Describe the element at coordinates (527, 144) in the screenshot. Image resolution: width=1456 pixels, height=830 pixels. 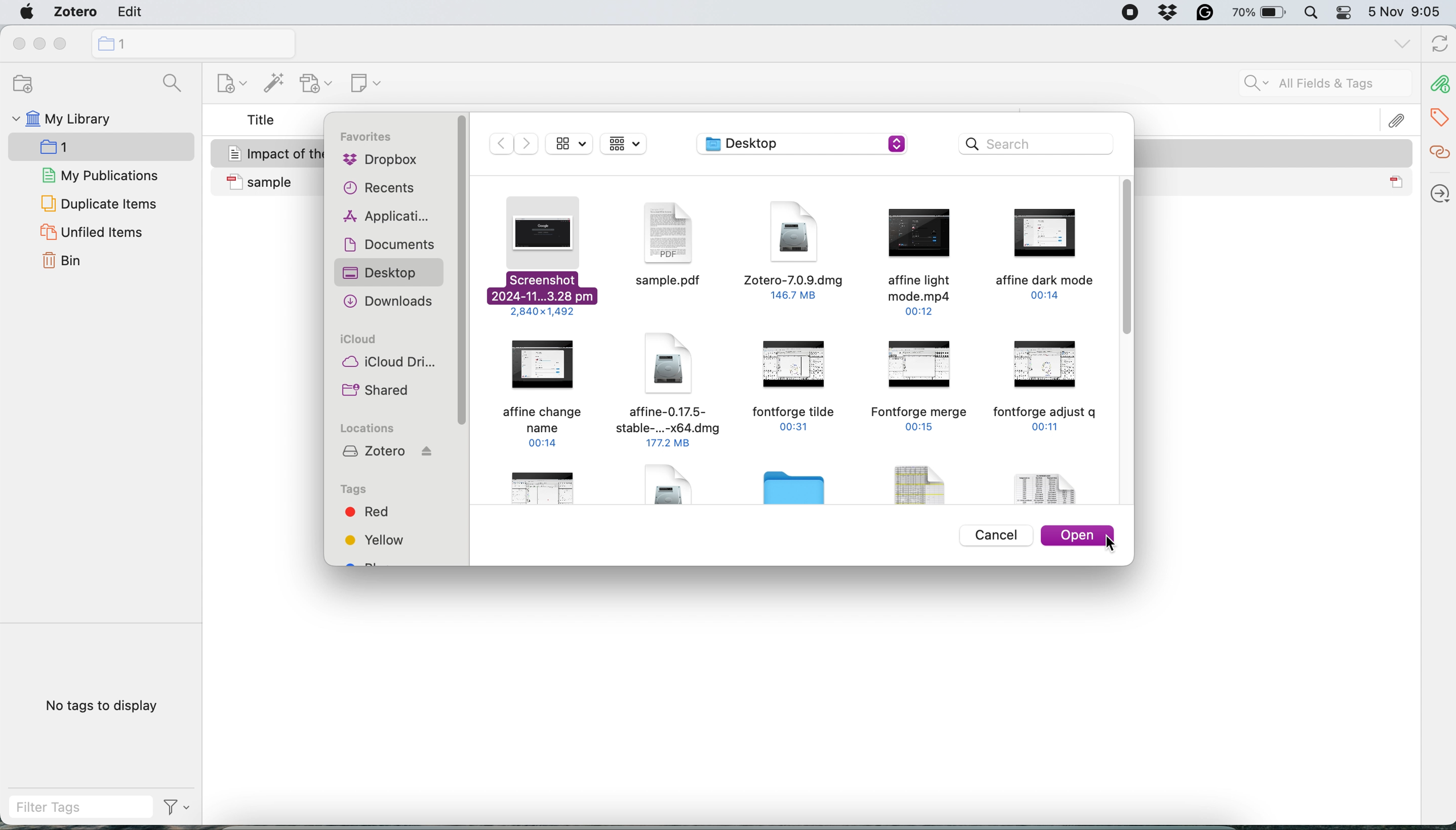
I see `Next` at that location.